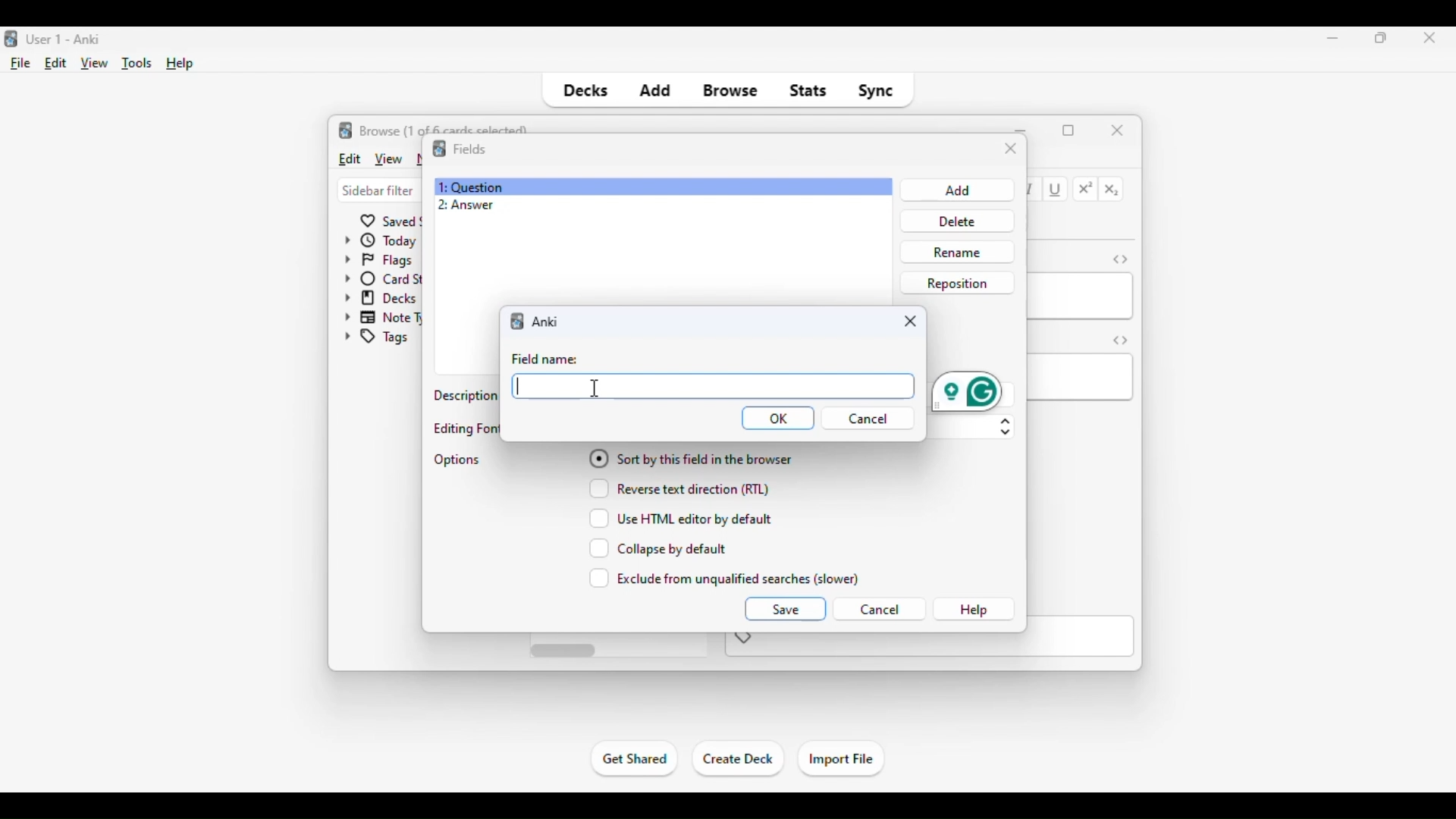 The image size is (1456, 819). I want to click on superscript, so click(1086, 189).